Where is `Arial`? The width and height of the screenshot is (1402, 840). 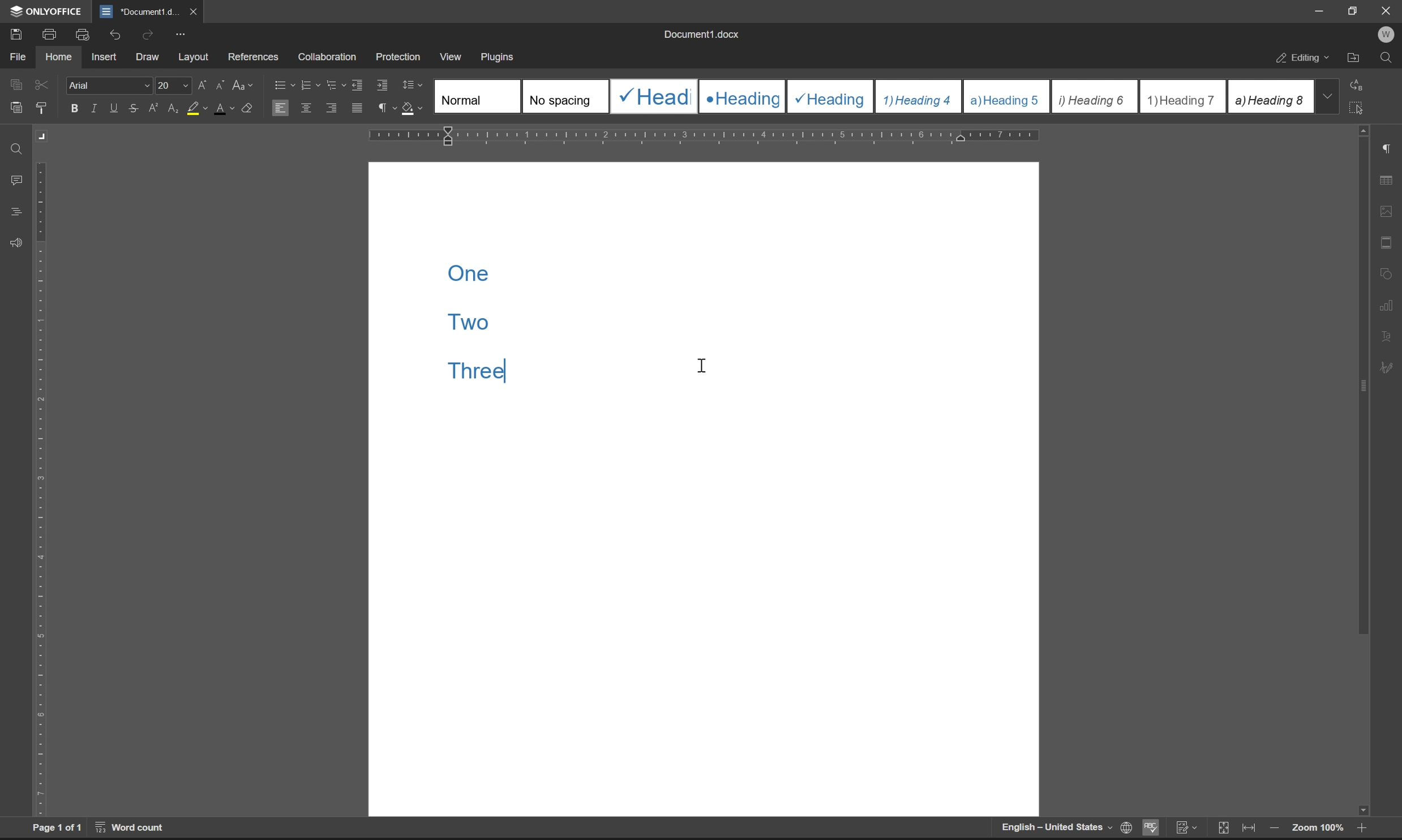
Arial is located at coordinates (108, 84).